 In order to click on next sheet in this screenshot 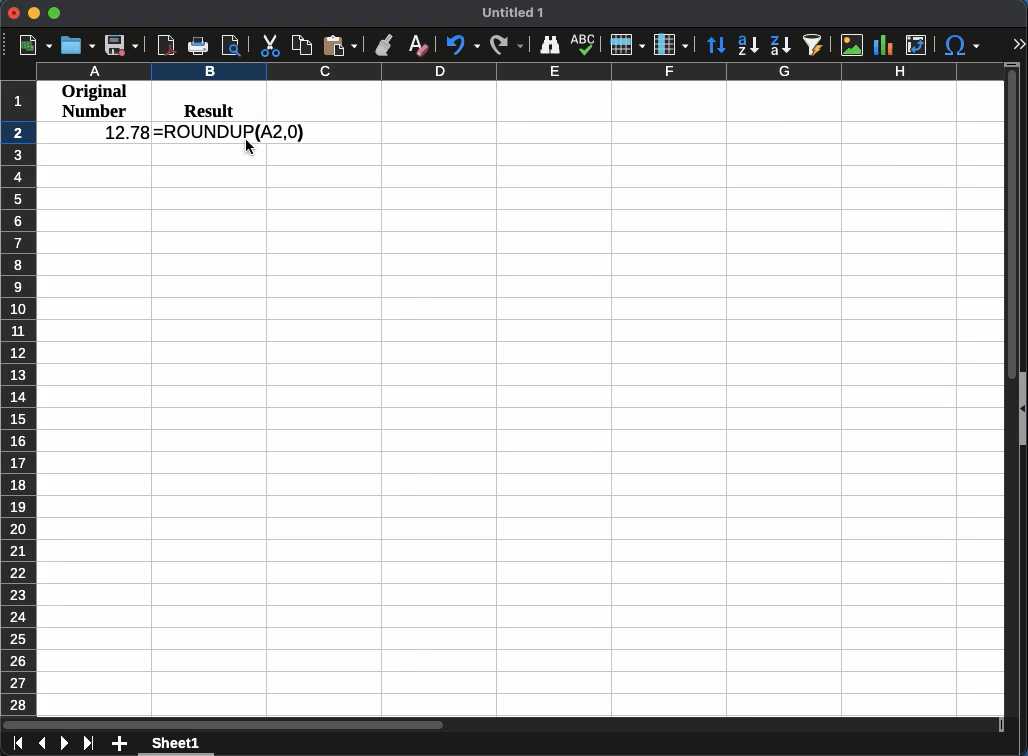, I will do `click(63, 746)`.